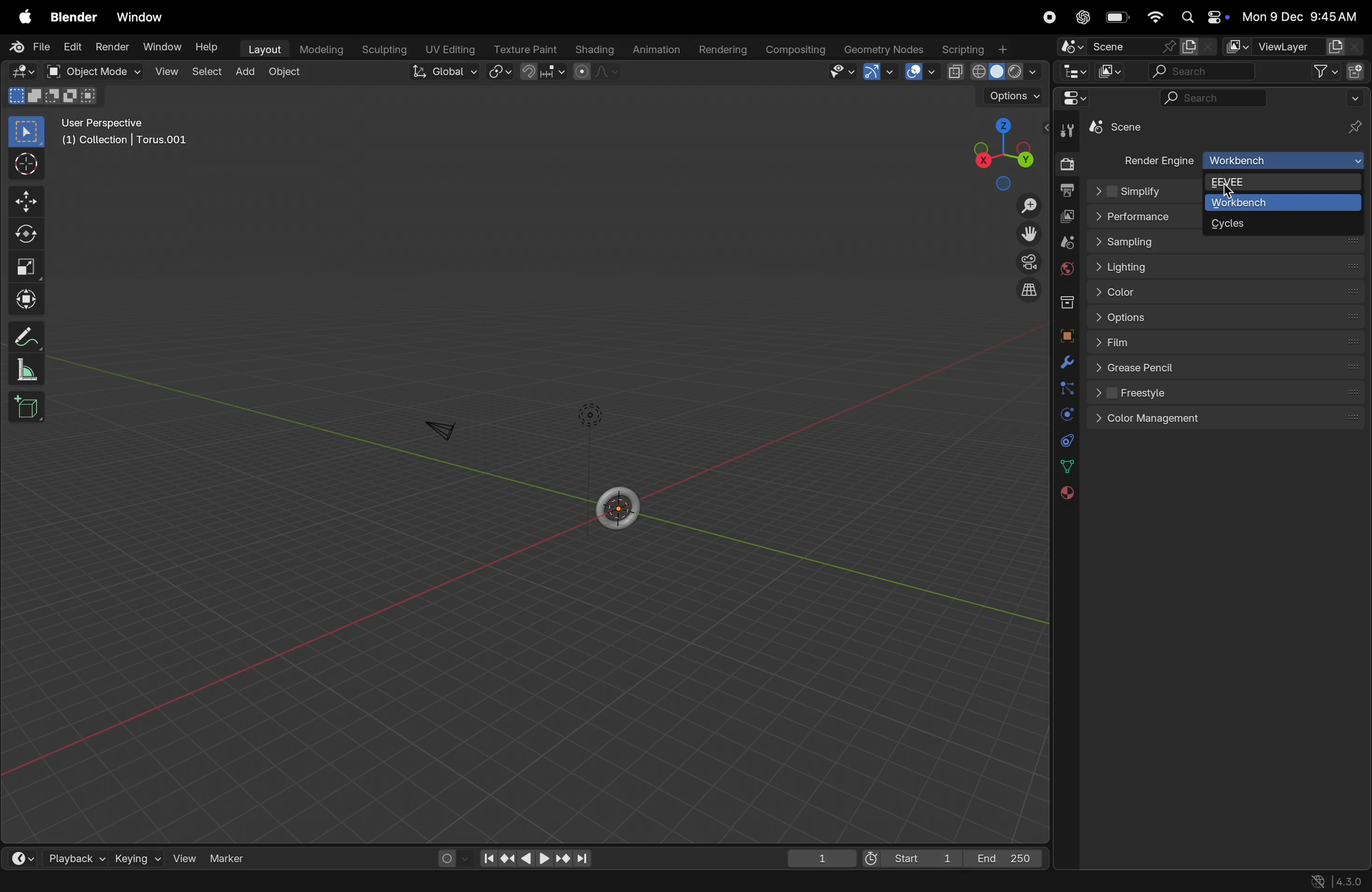  Describe the element at coordinates (28, 47) in the screenshot. I see `File` at that location.